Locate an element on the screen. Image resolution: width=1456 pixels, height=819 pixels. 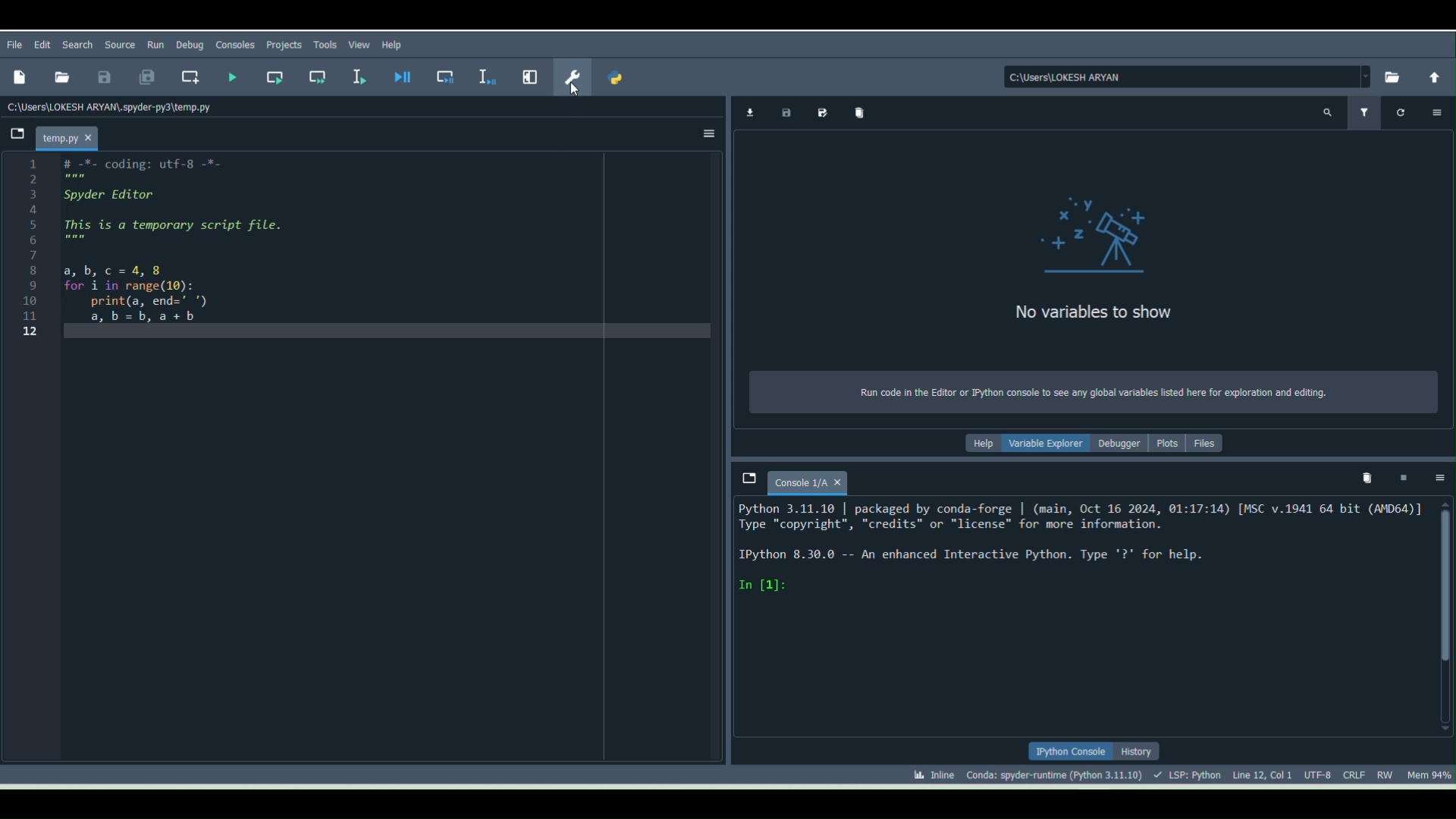
Version is located at coordinates (1057, 773).